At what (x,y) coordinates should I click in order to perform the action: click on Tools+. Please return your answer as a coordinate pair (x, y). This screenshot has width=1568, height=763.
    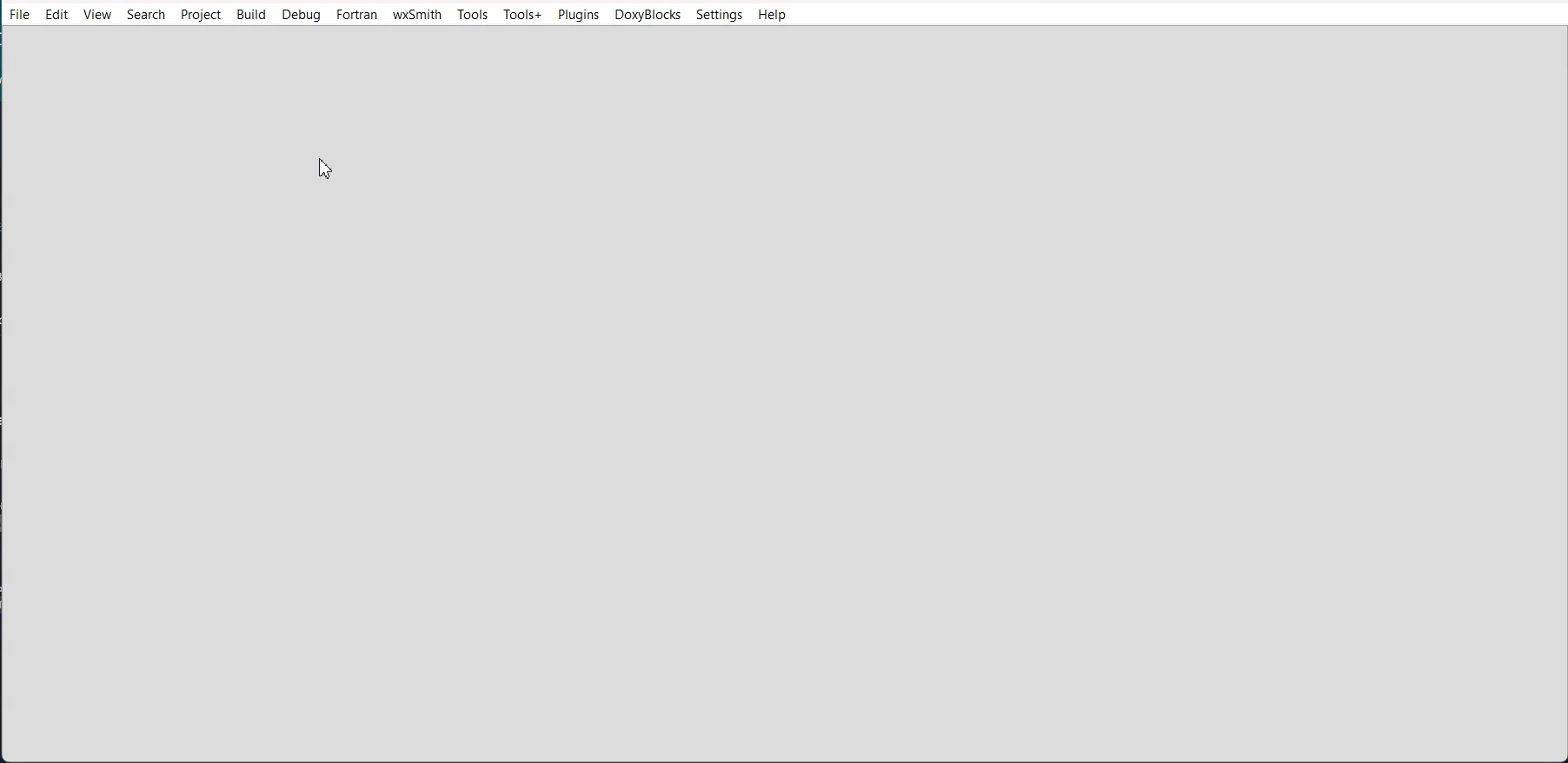
    Looking at the image, I should click on (523, 15).